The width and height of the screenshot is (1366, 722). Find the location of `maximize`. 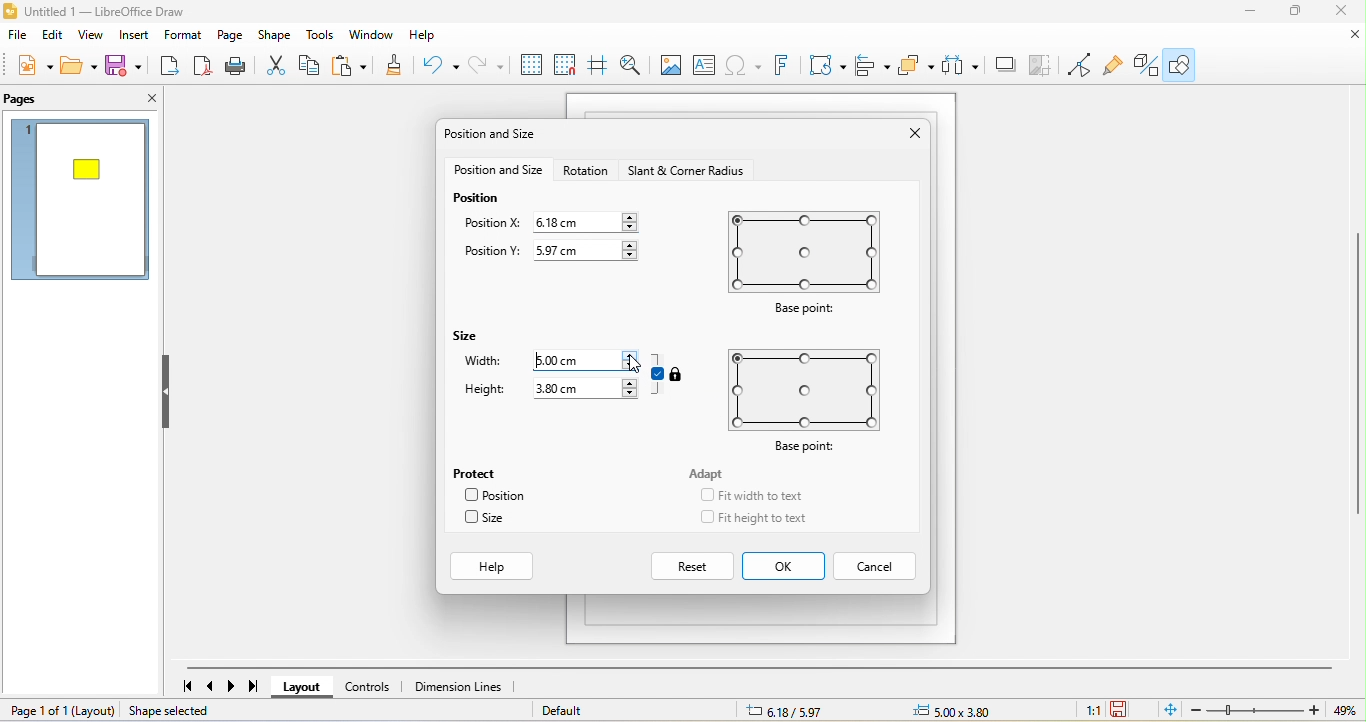

maximize is located at coordinates (1293, 13).